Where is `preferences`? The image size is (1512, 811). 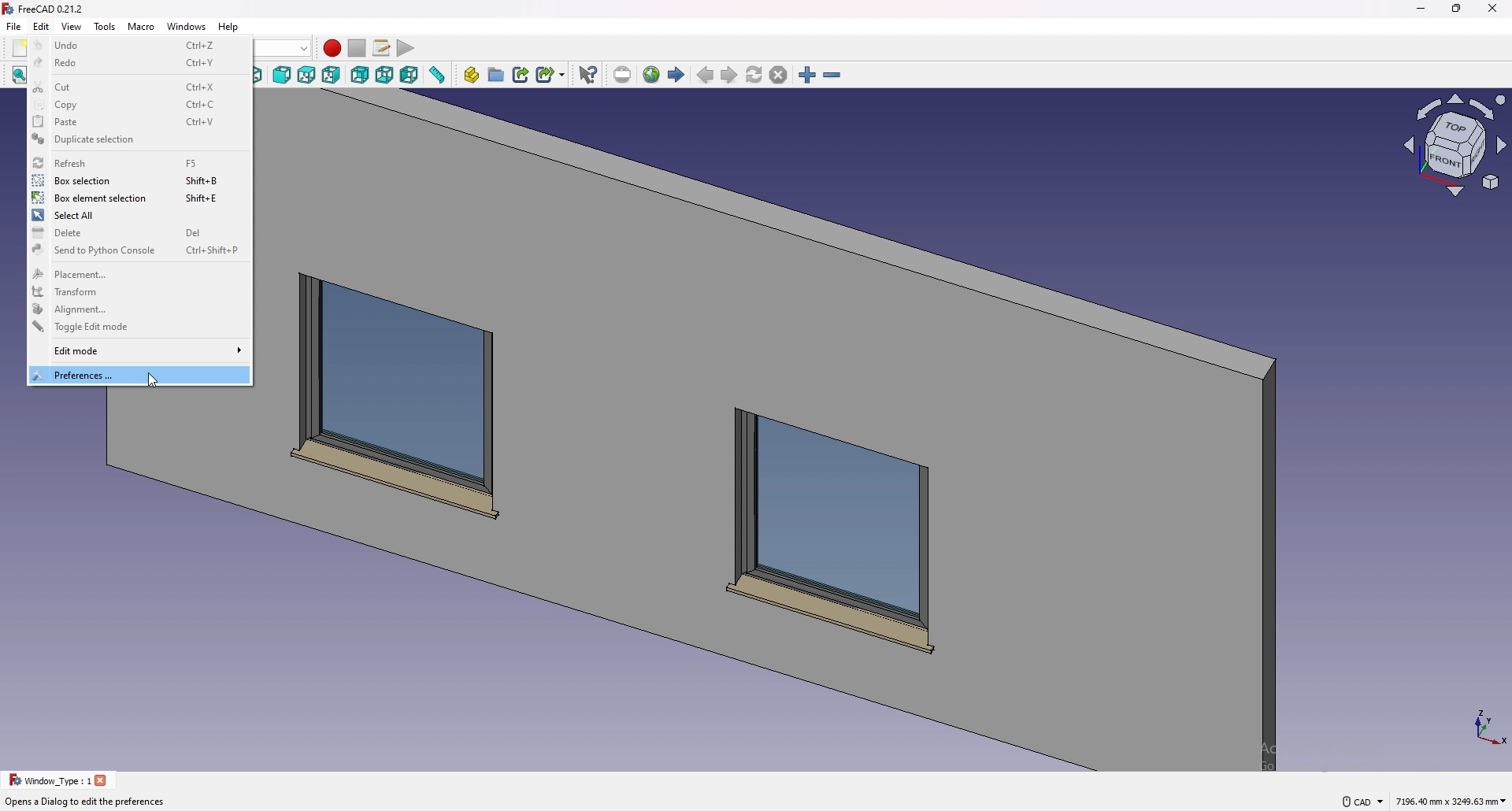
preferences is located at coordinates (139, 375).